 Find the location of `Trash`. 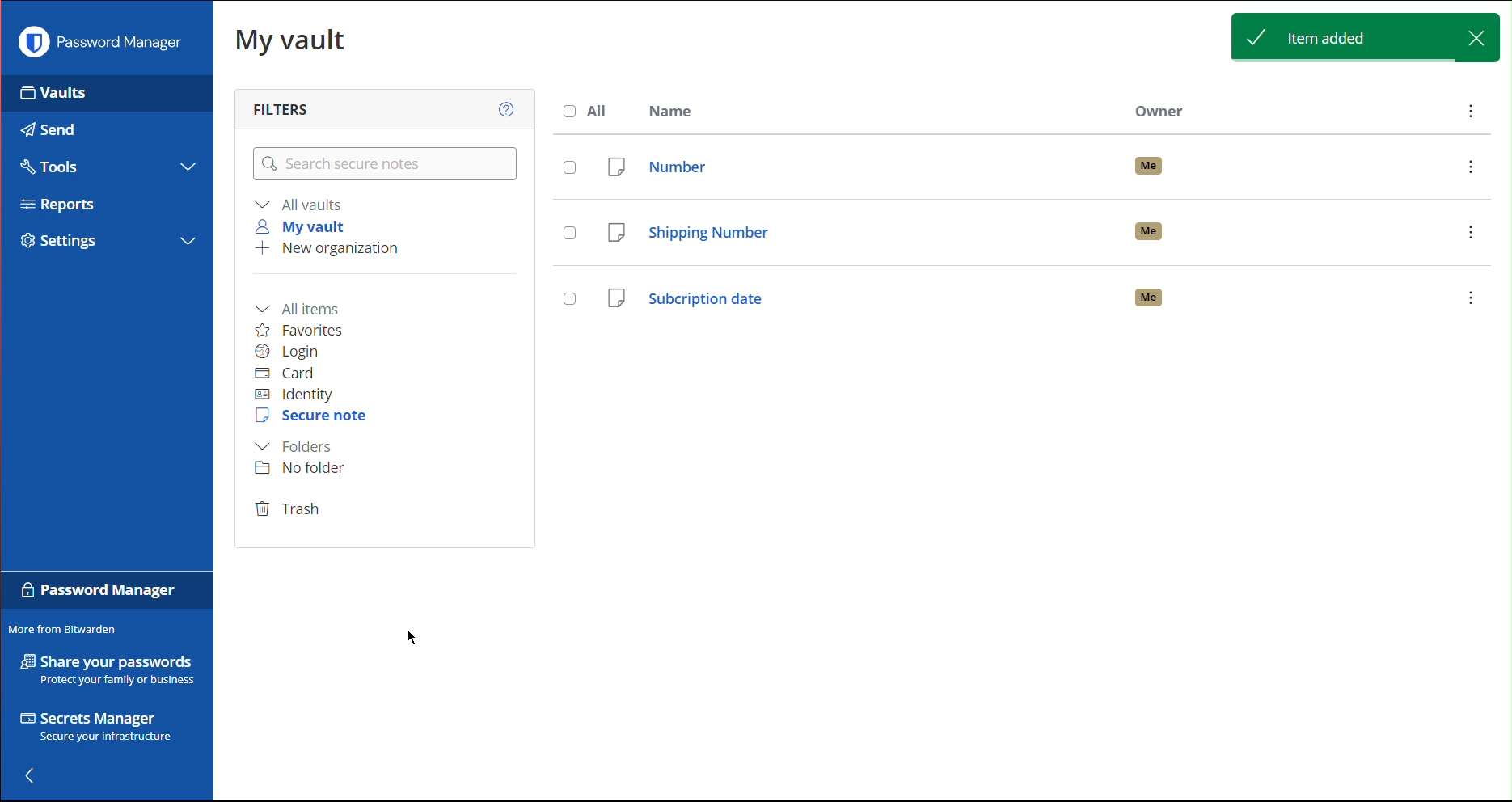

Trash is located at coordinates (290, 510).